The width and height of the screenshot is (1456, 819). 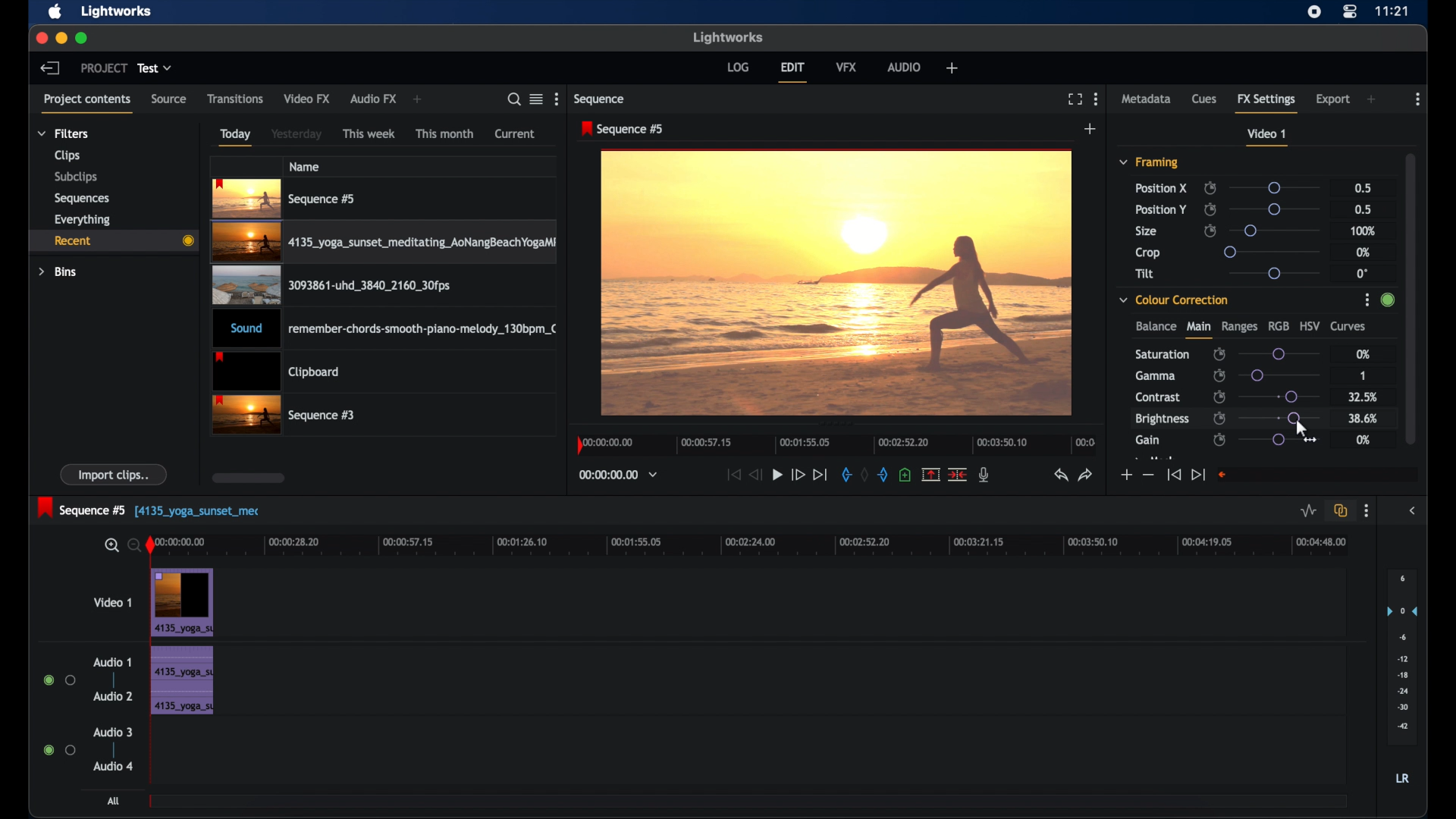 What do you see at coordinates (114, 695) in the screenshot?
I see `audio 2` at bounding box center [114, 695].